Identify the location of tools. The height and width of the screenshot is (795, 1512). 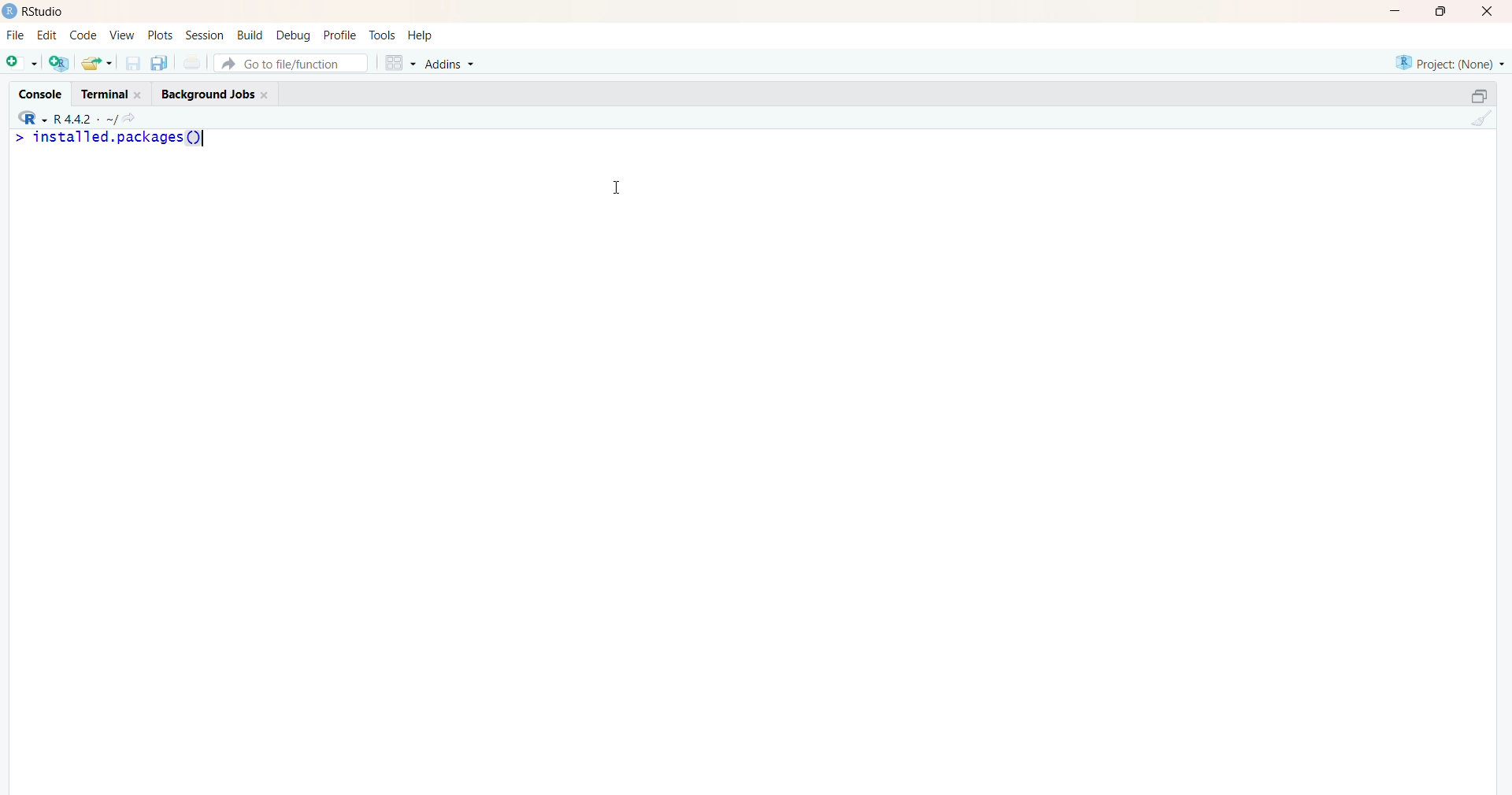
(382, 35).